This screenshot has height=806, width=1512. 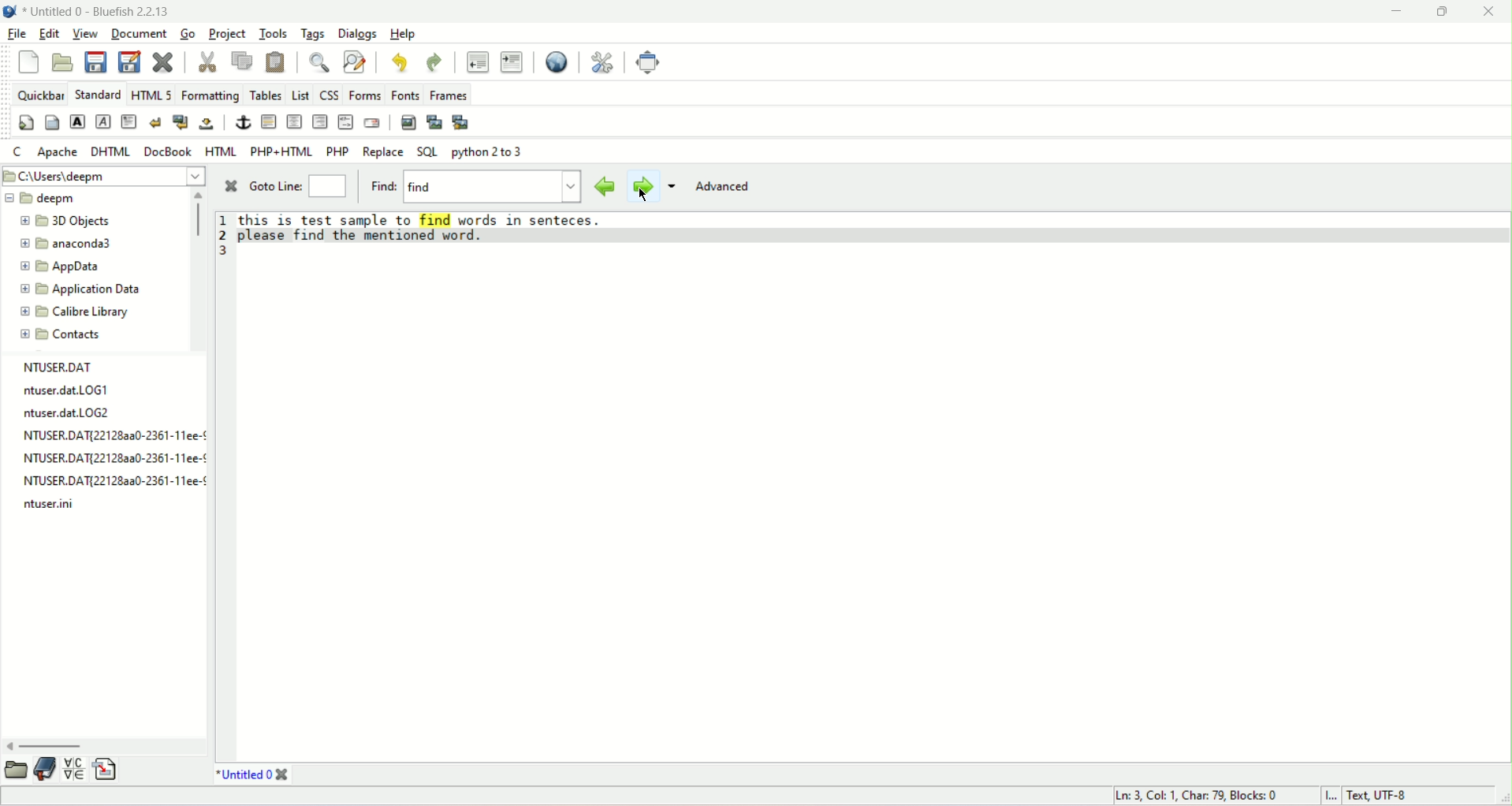 What do you see at coordinates (433, 64) in the screenshot?
I see `redo` at bounding box center [433, 64].